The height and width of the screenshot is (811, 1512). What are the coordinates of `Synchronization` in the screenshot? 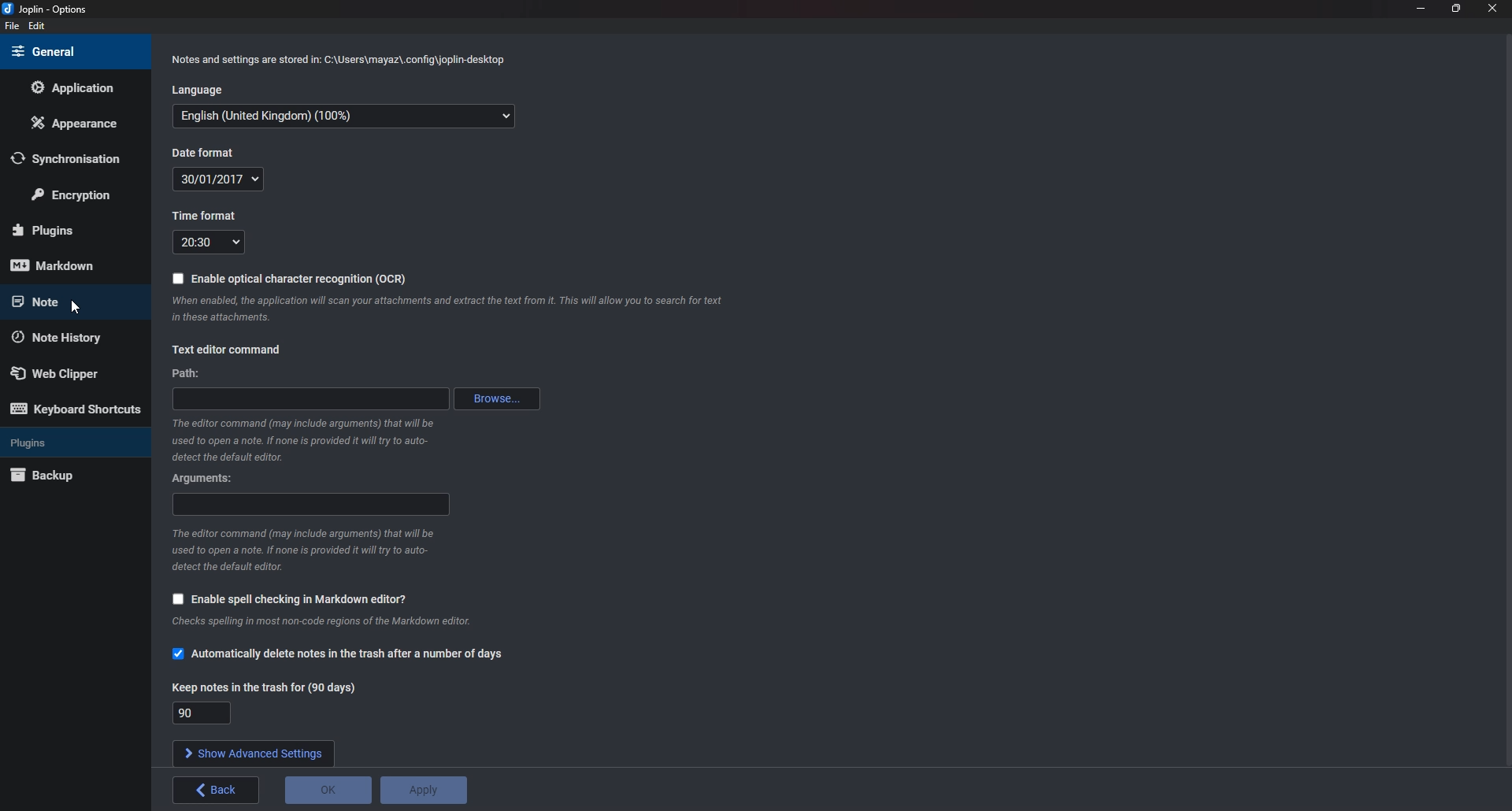 It's located at (73, 158).